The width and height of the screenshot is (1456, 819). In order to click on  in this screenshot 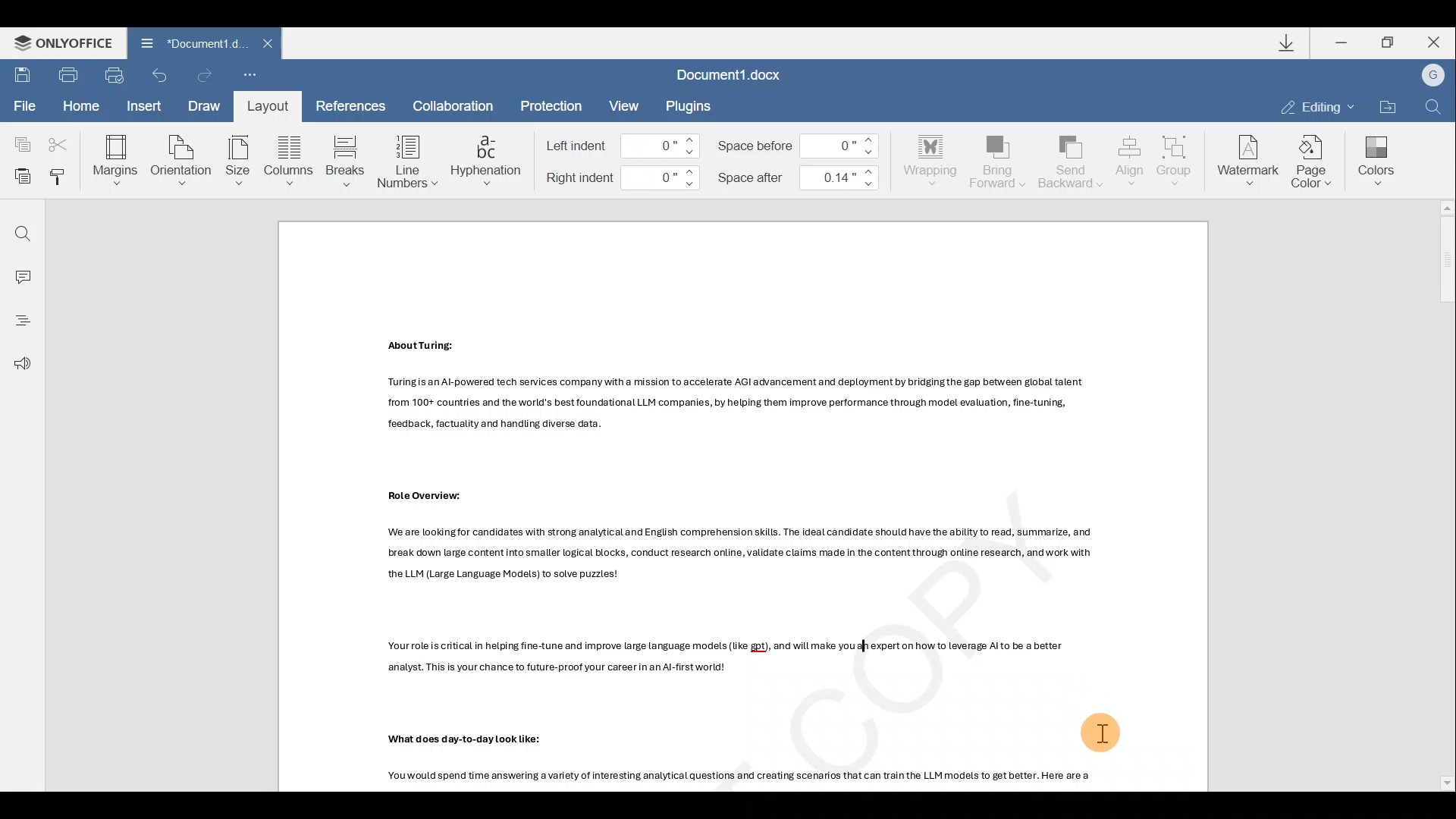, I will do `click(733, 403)`.